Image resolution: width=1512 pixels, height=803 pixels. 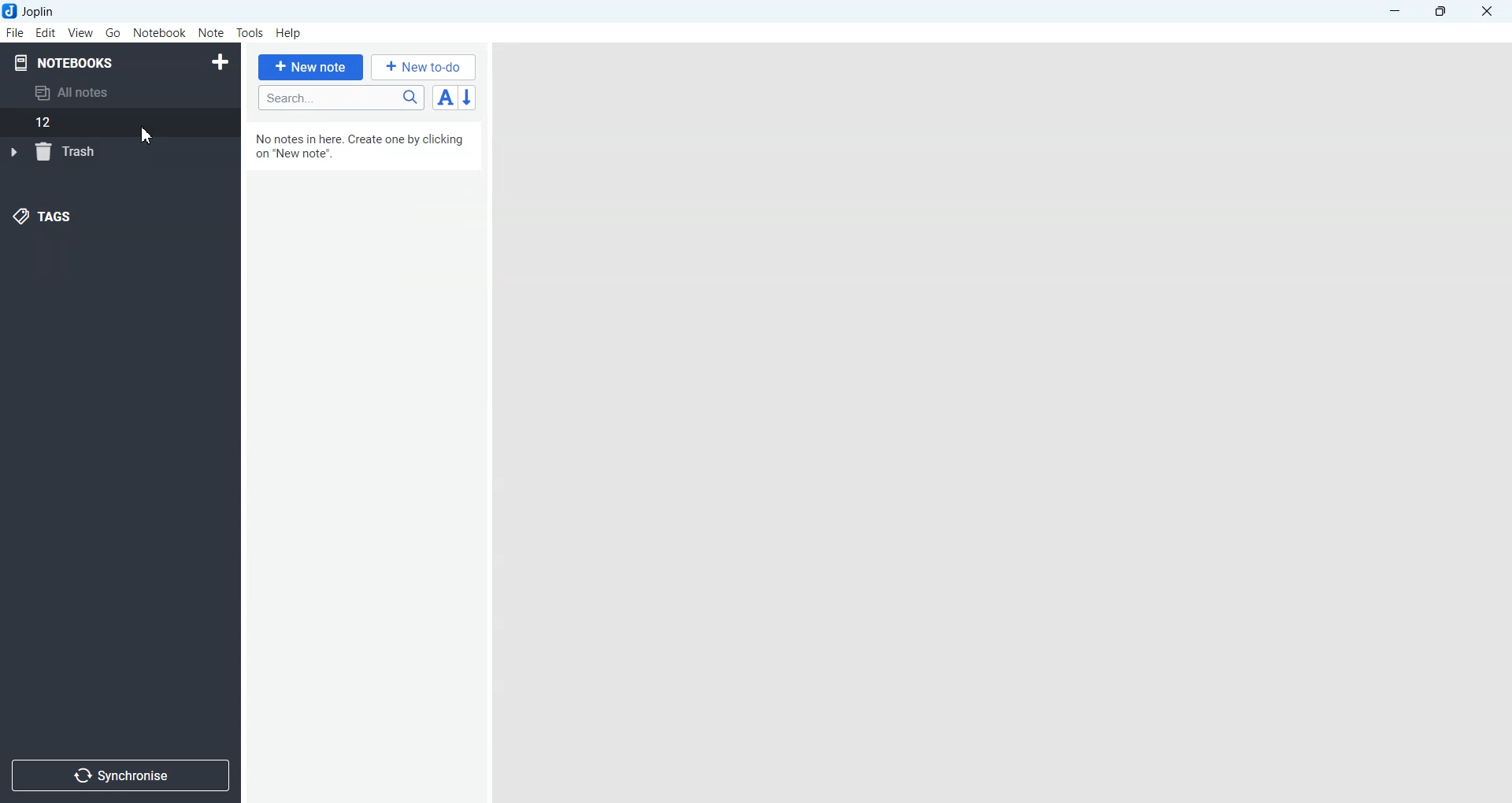 What do you see at coordinates (1485, 12) in the screenshot?
I see `Close` at bounding box center [1485, 12].